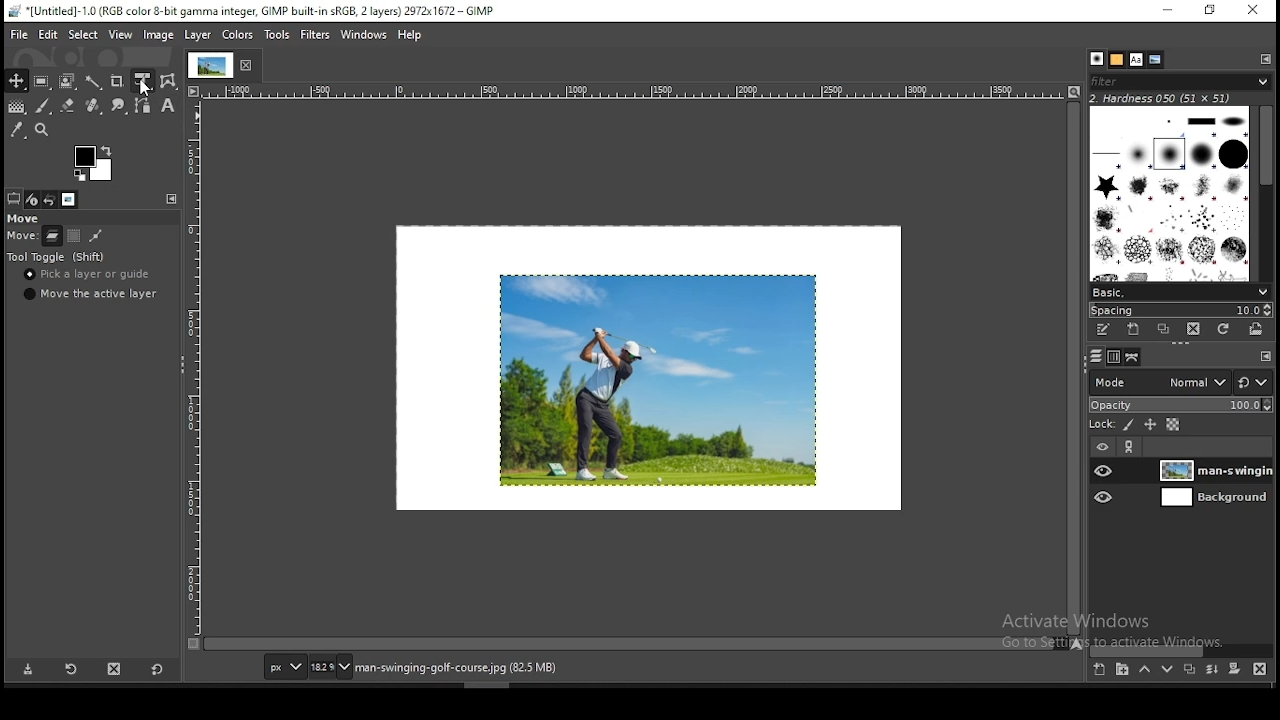 The width and height of the screenshot is (1280, 720). Describe the element at coordinates (51, 199) in the screenshot. I see `undo history` at that location.